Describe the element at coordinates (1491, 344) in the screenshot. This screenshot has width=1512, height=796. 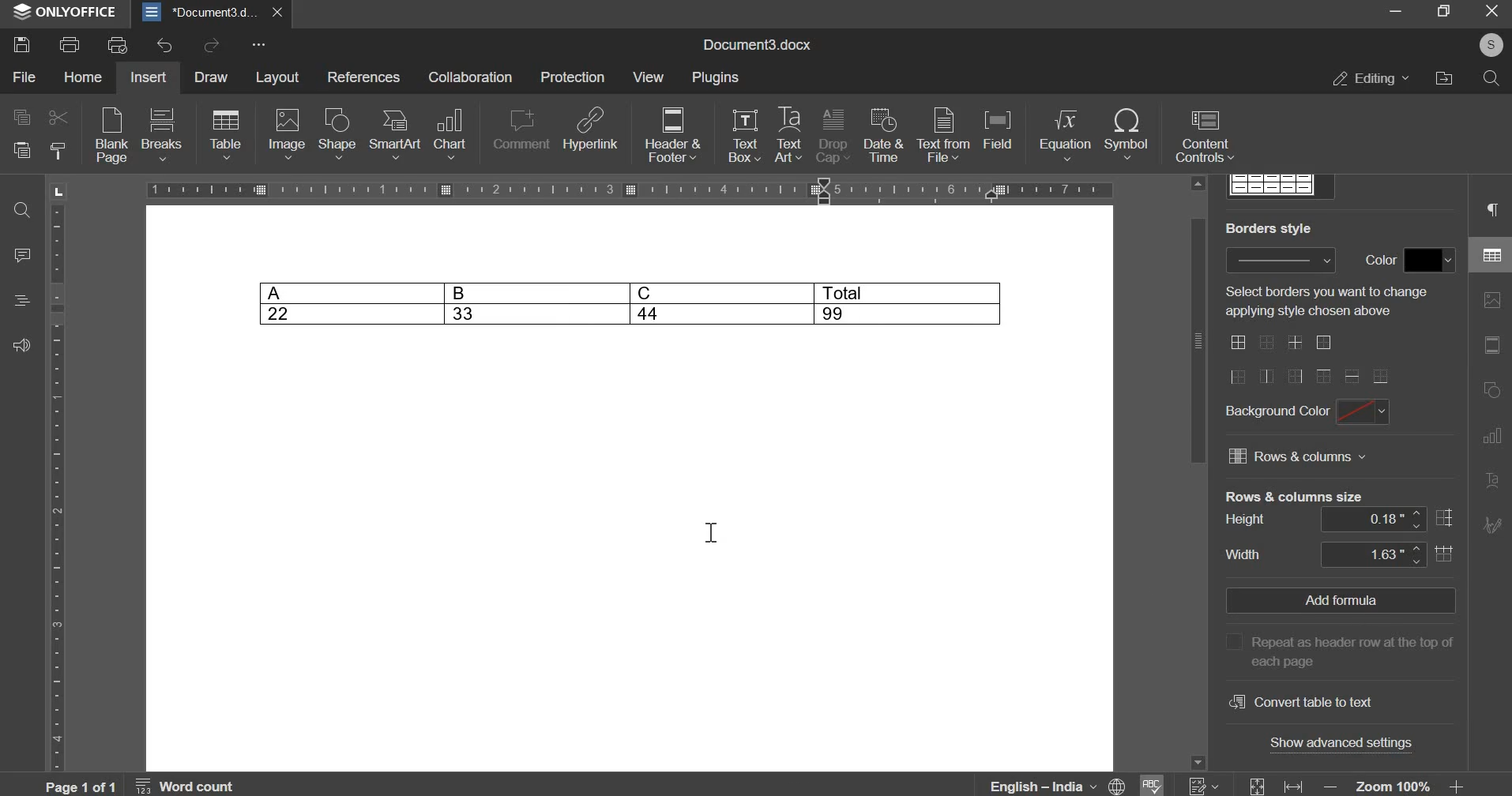
I see `slide settings` at that location.